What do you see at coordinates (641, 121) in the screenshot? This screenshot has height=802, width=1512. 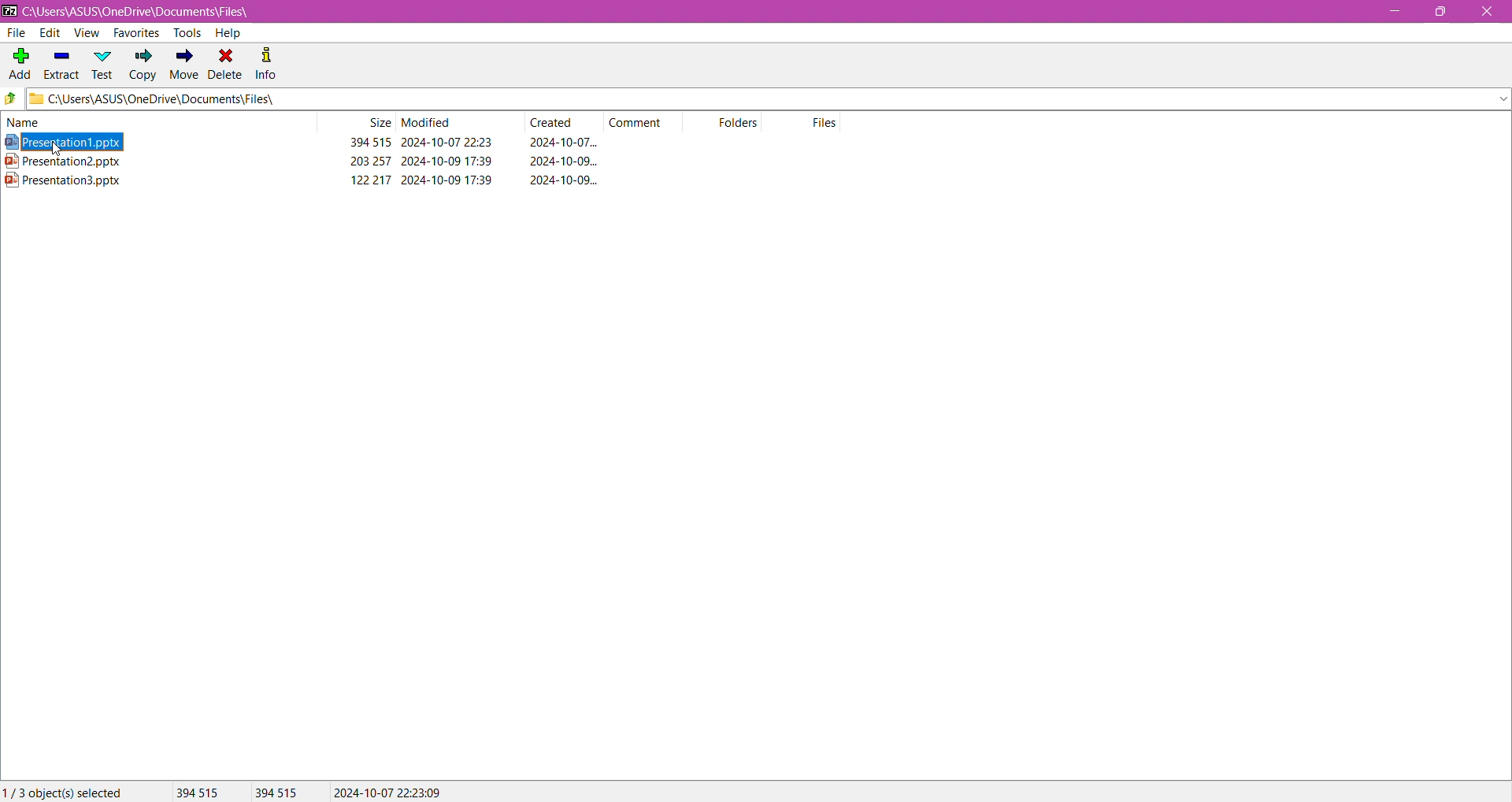 I see `Comment` at bounding box center [641, 121].